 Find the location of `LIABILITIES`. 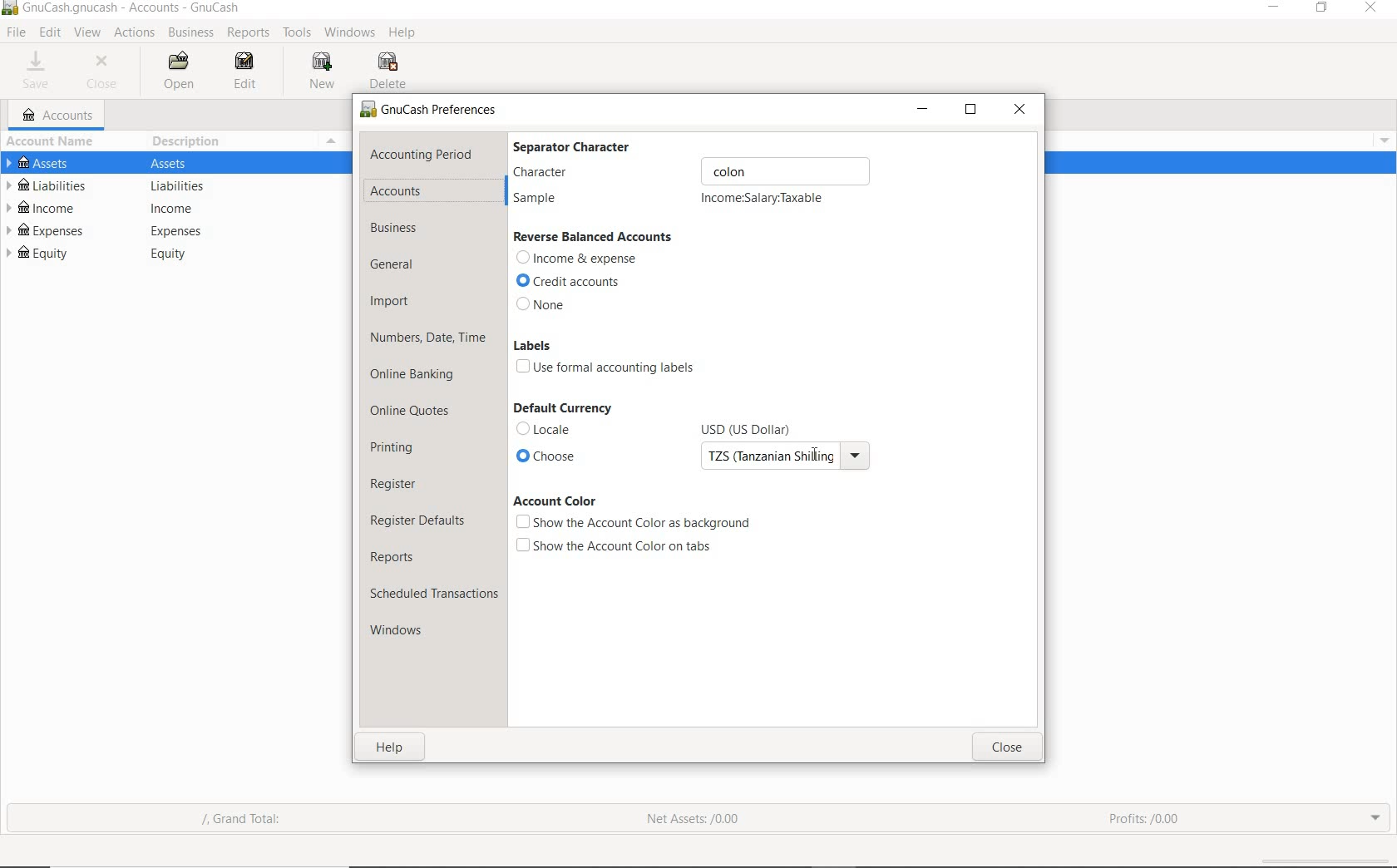

LIABILITIES is located at coordinates (48, 185).